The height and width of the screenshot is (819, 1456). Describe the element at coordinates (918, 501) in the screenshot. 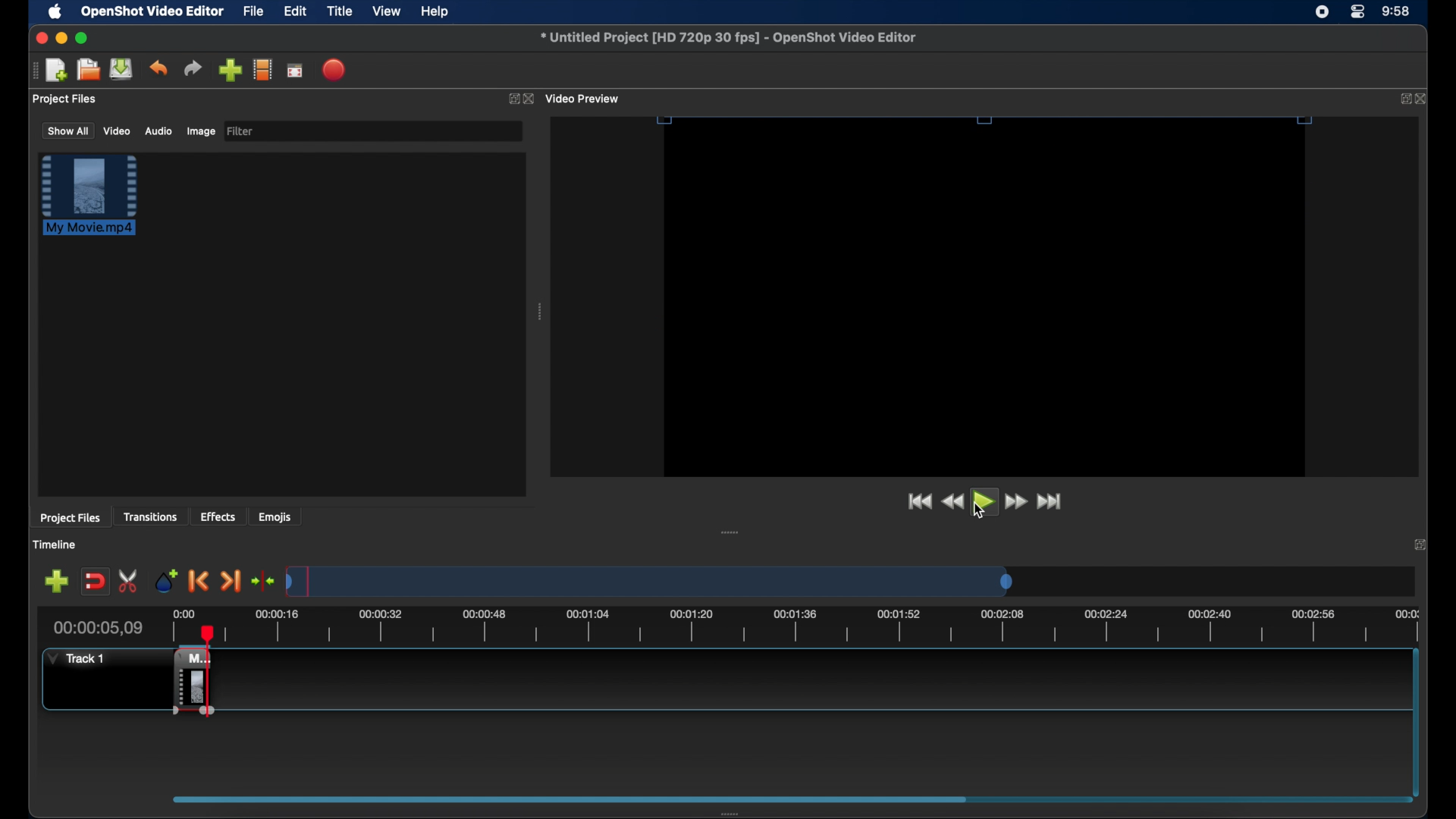

I see `jumpt to start` at that location.